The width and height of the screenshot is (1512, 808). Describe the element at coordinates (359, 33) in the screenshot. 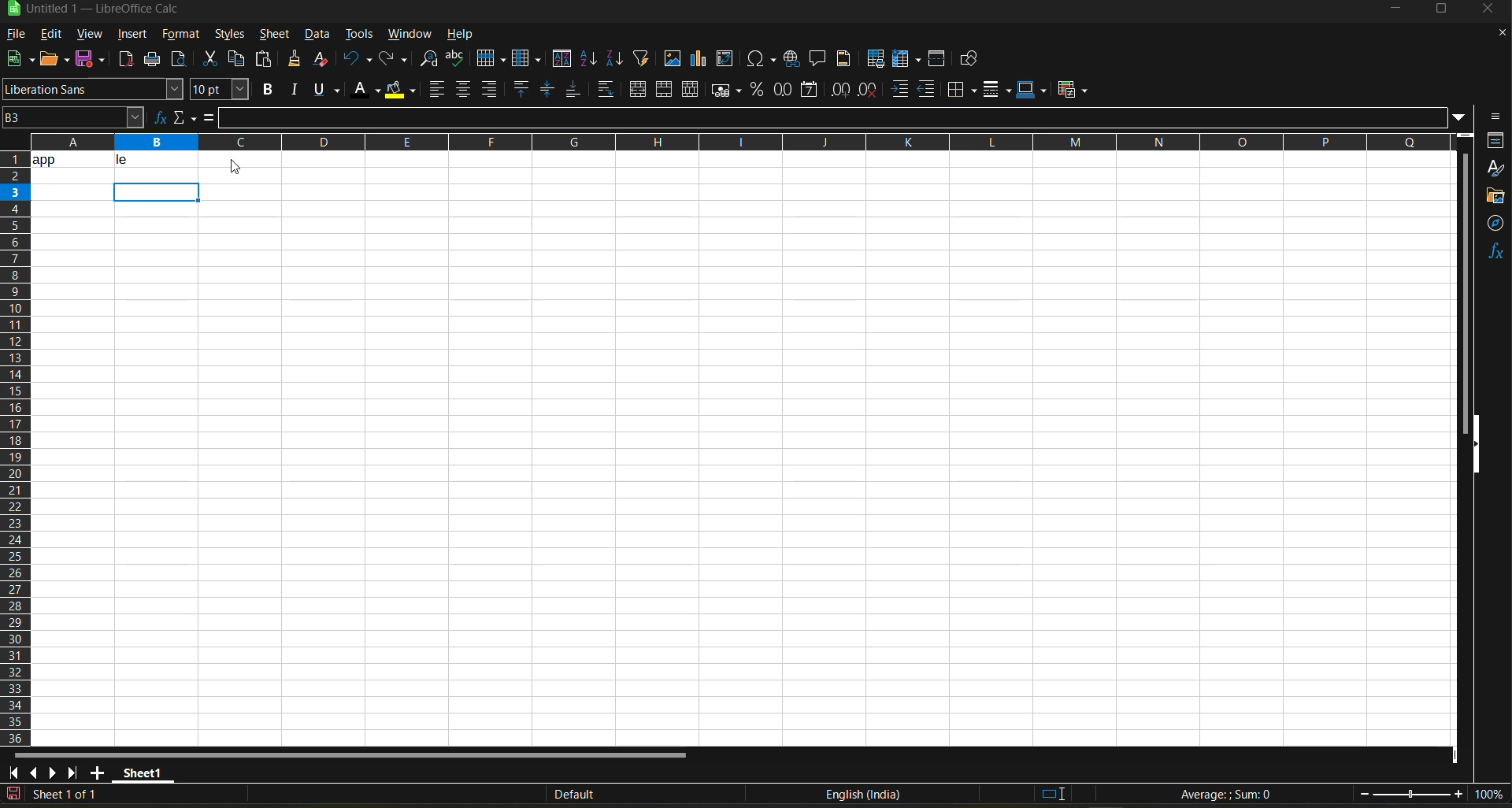

I see `tools` at that location.